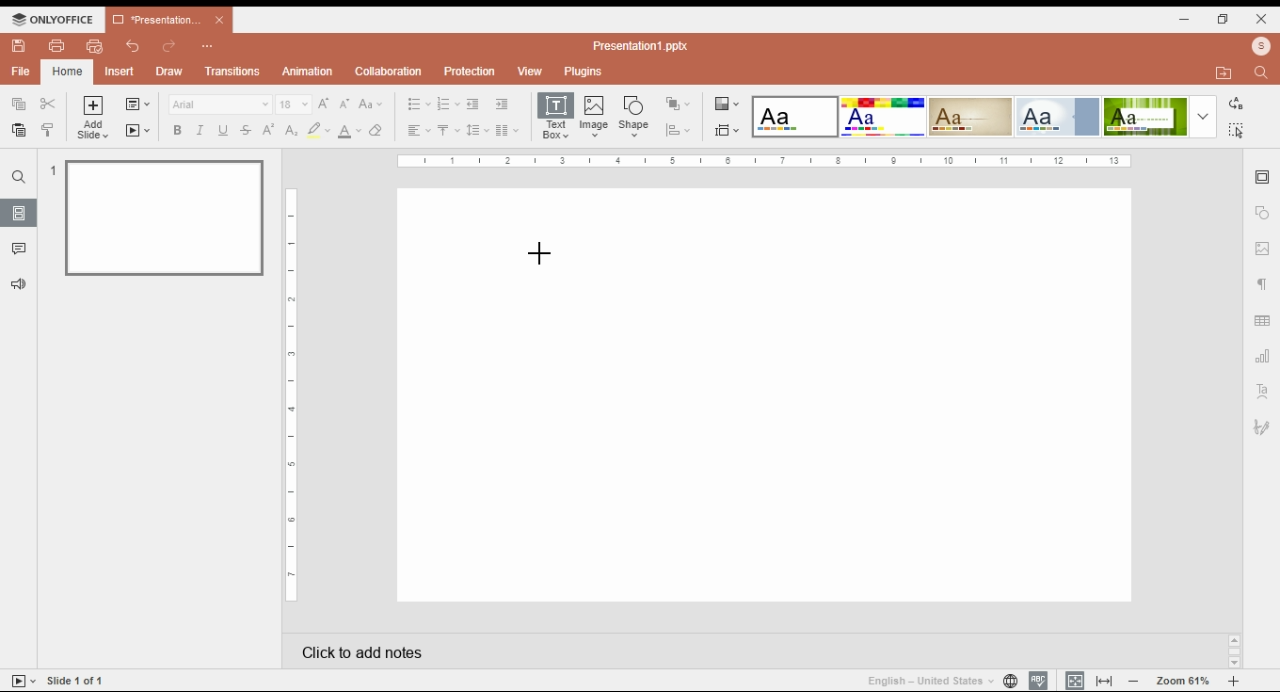 The image size is (1280, 692). I want to click on color theme, so click(1057, 117).